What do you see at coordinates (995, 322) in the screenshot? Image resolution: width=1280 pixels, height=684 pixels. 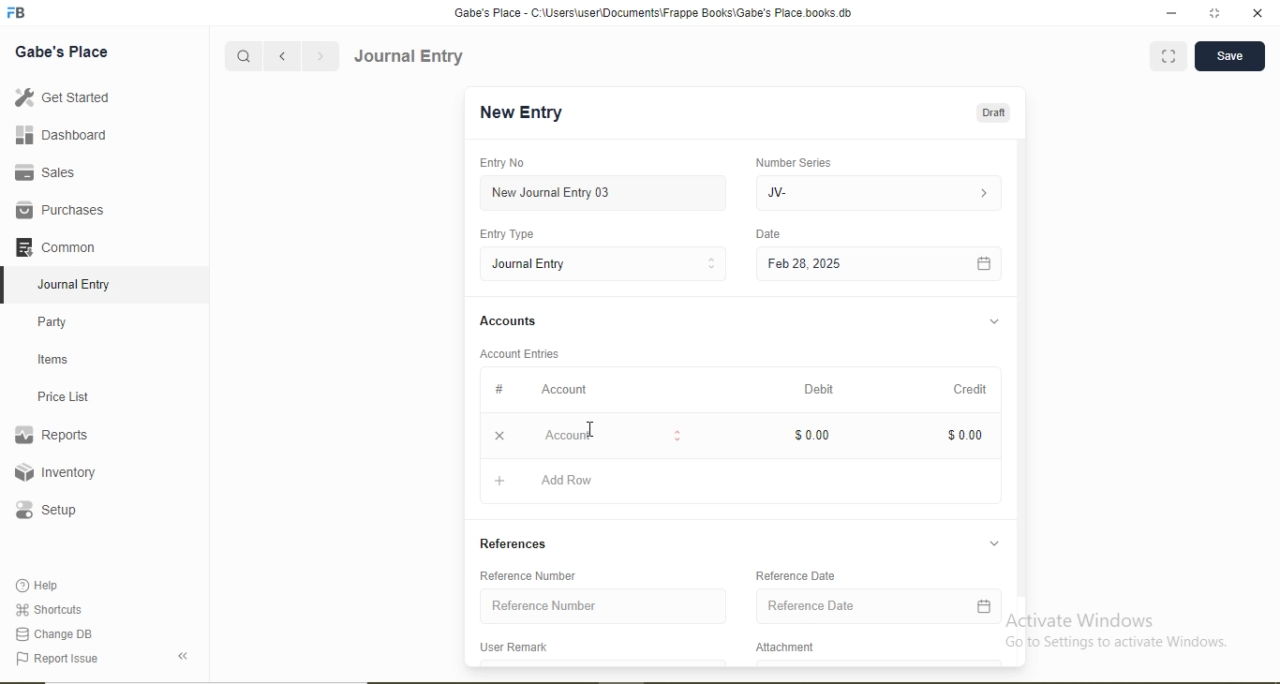 I see `Dropdown` at bounding box center [995, 322].